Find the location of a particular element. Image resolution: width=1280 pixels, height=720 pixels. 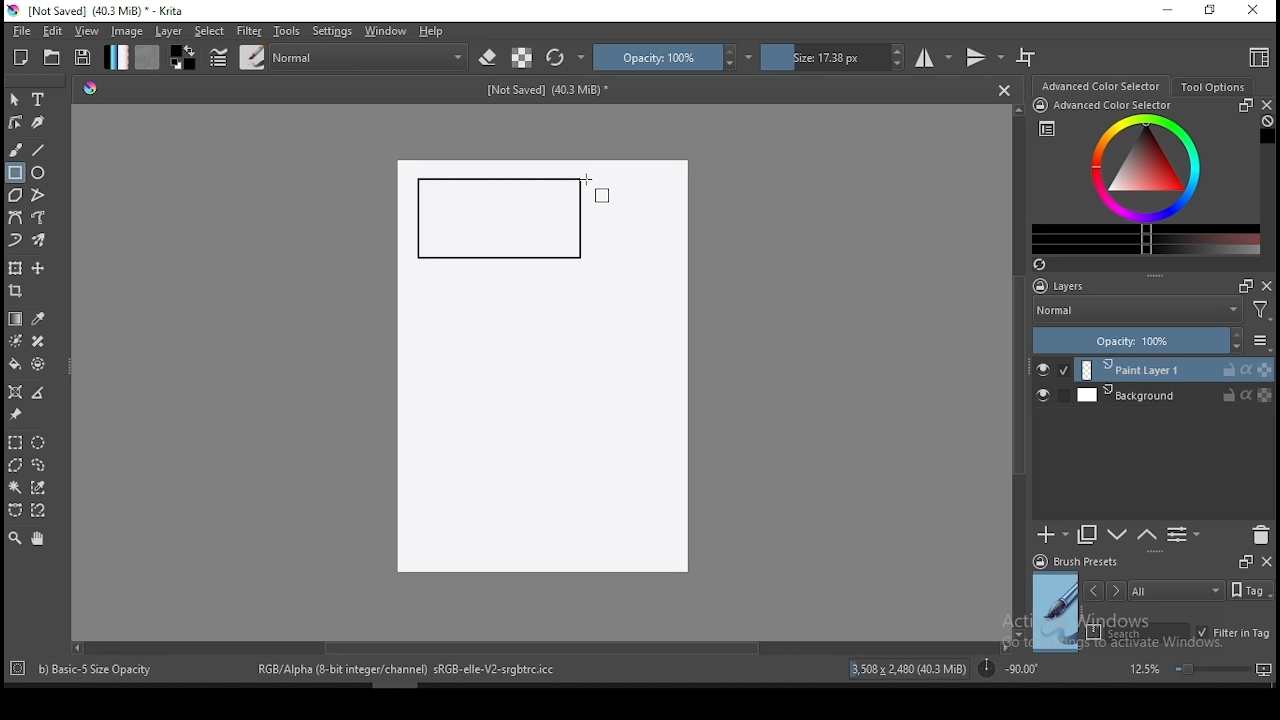

opacity is located at coordinates (1150, 342).